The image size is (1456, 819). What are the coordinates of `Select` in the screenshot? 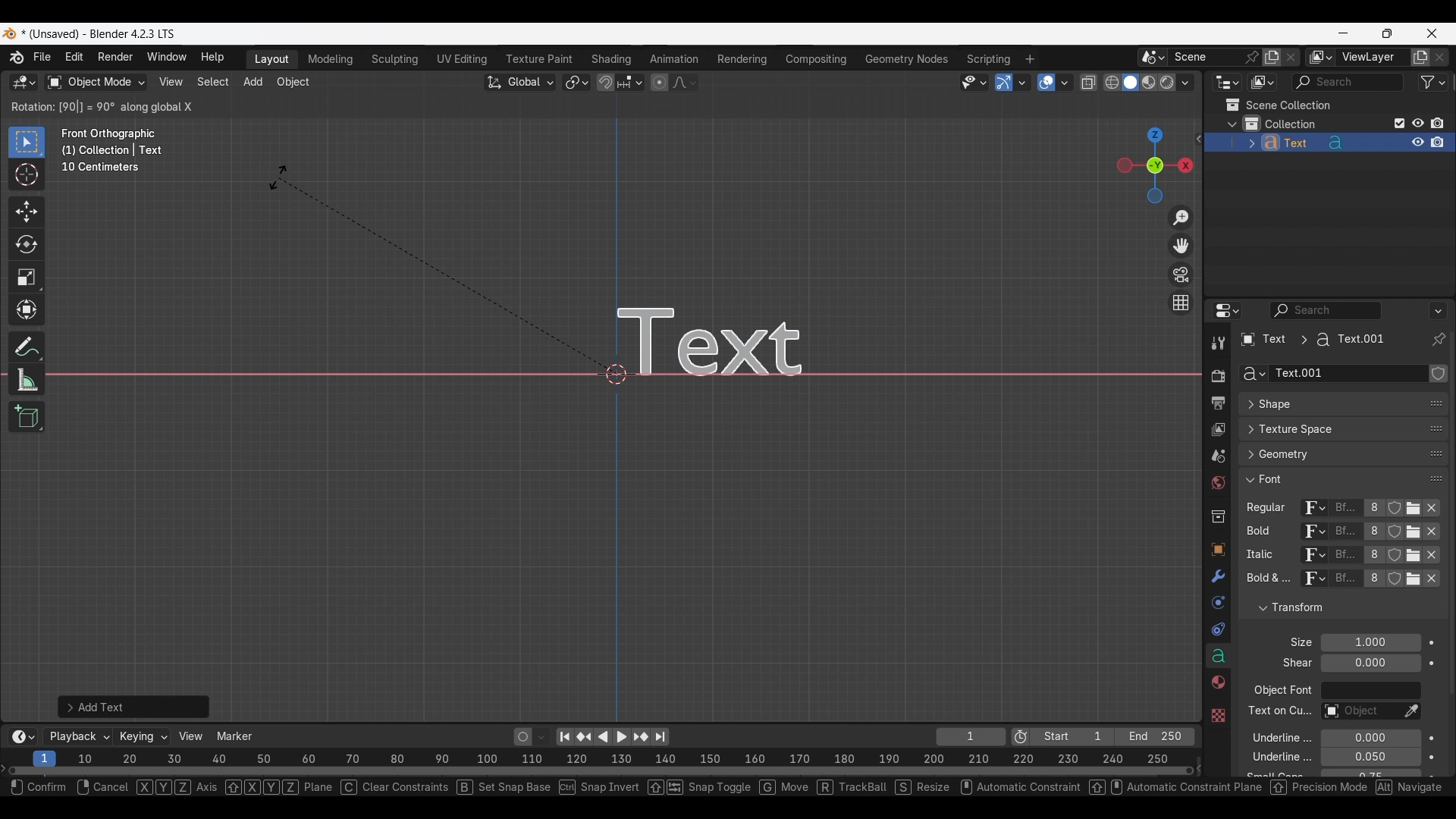 It's located at (35, 787).